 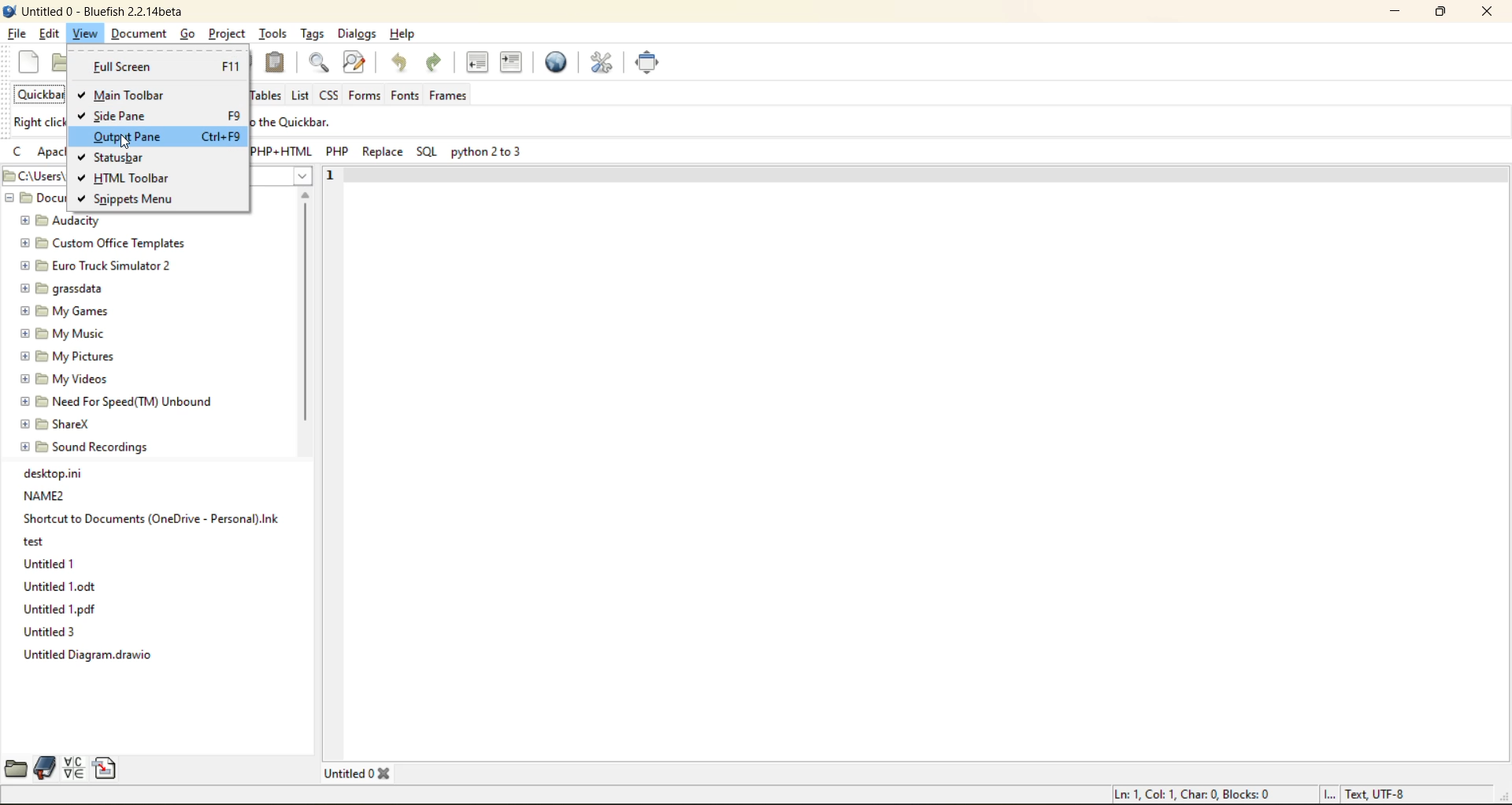 What do you see at coordinates (57, 424) in the screenshot?
I see `ShareX` at bounding box center [57, 424].